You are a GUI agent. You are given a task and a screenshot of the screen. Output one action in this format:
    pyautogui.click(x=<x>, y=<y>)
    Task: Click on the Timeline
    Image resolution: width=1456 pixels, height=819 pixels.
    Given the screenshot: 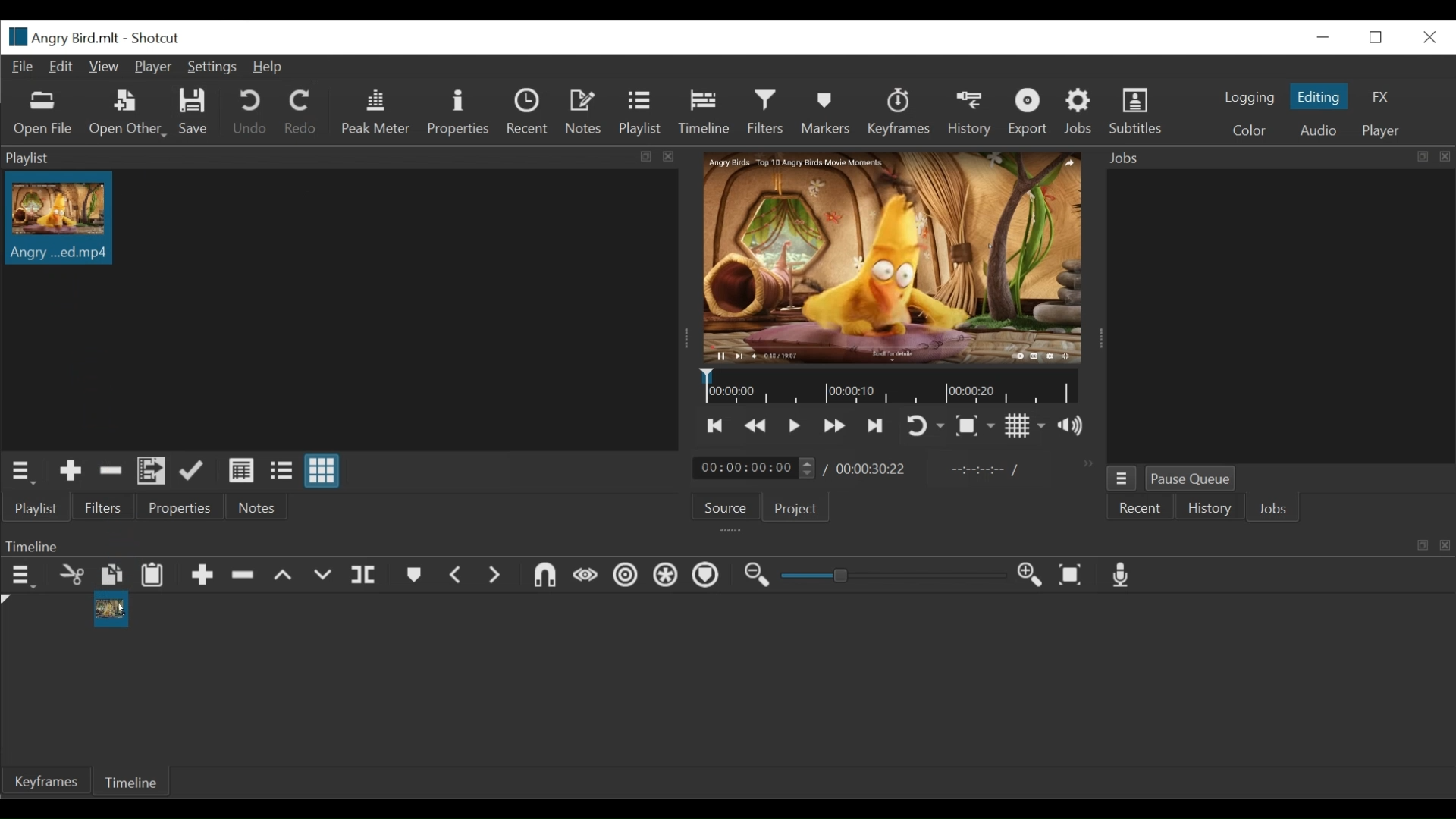 What is the action you would take?
    pyautogui.click(x=704, y=113)
    